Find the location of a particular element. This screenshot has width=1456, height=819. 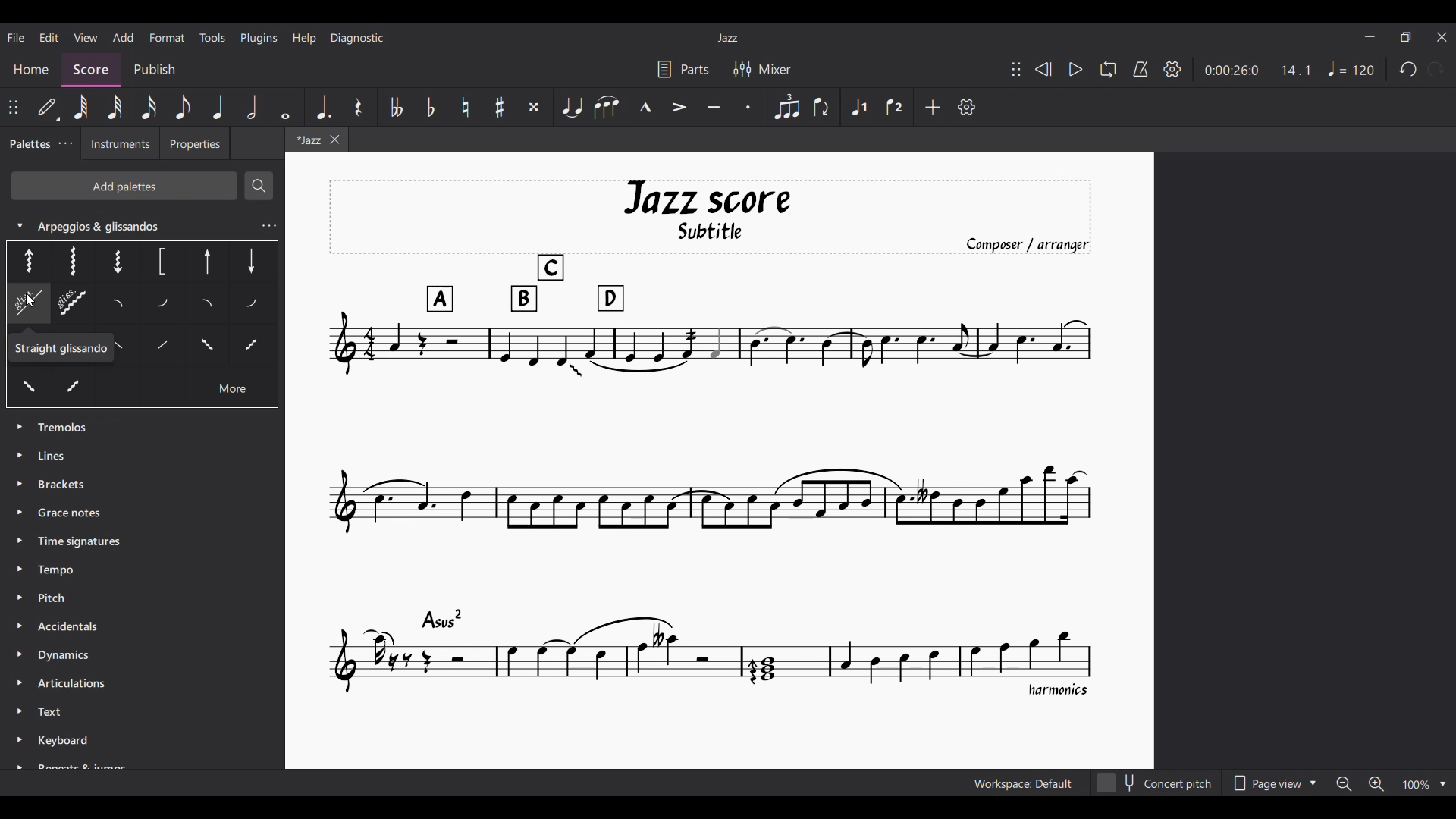

Articulations is located at coordinates (70, 682).